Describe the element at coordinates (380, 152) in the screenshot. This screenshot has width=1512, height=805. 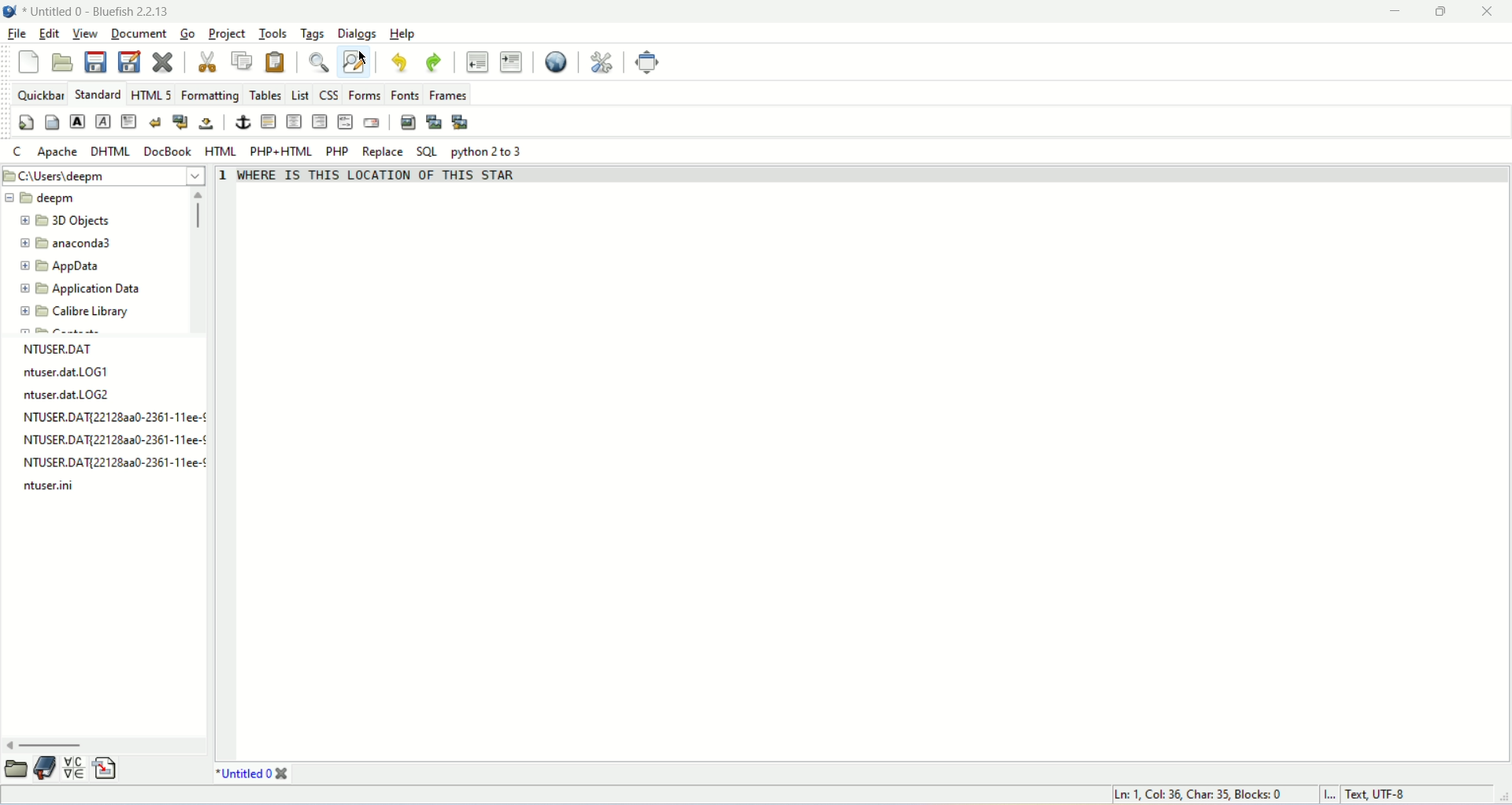
I see `replace` at that location.